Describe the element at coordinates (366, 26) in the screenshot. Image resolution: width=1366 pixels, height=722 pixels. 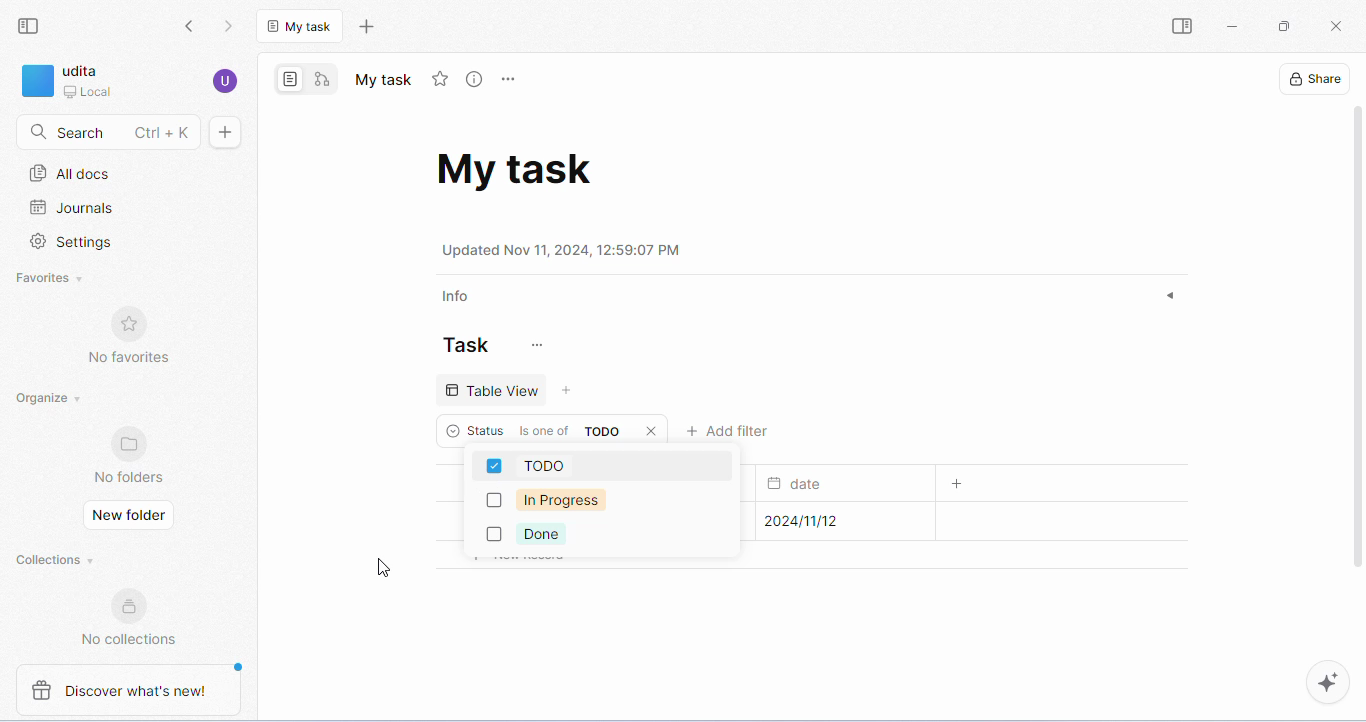
I see `new tab` at that location.